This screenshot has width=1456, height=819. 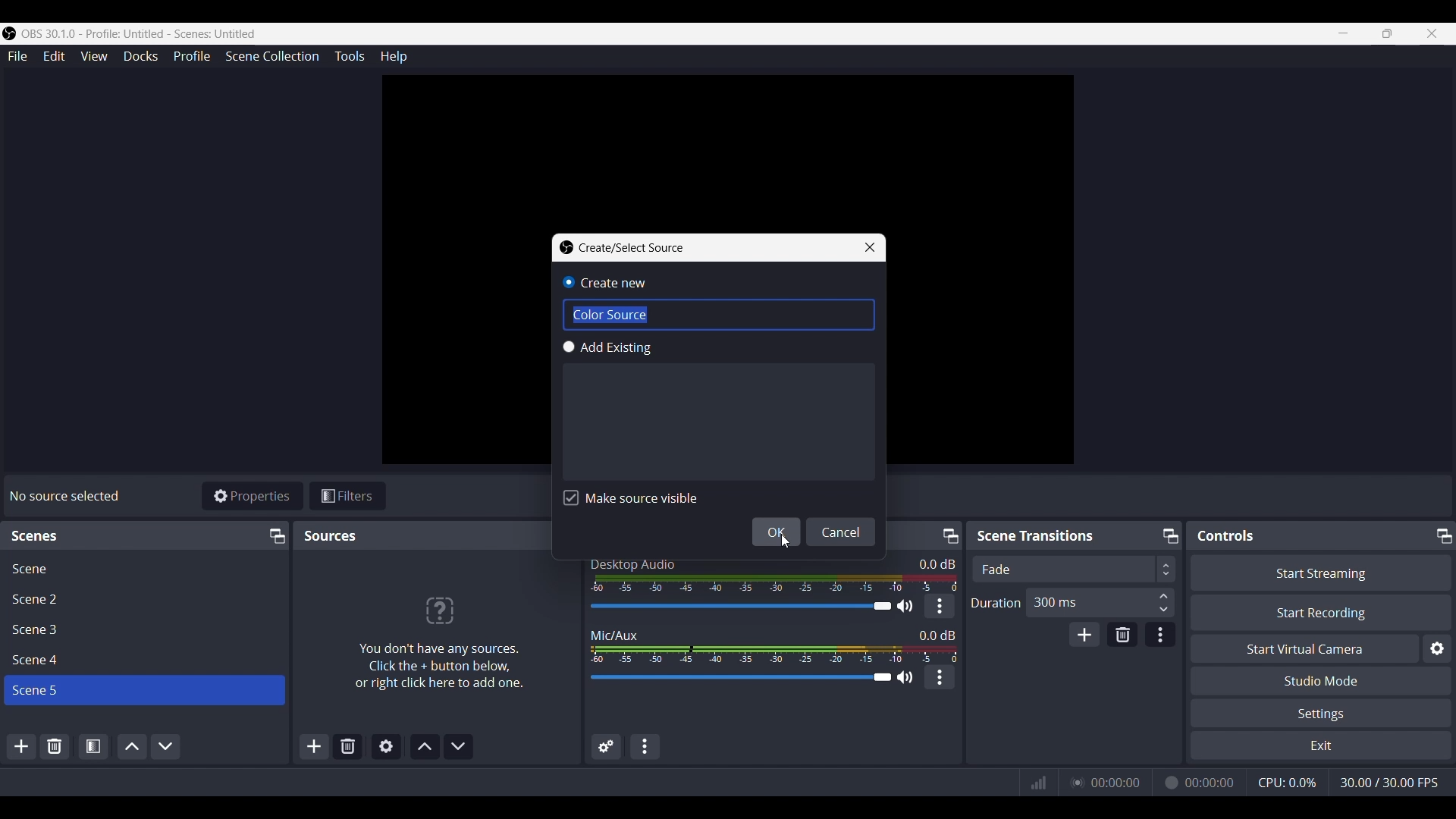 What do you see at coordinates (312, 746) in the screenshot?
I see `Add Sources` at bounding box center [312, 746].